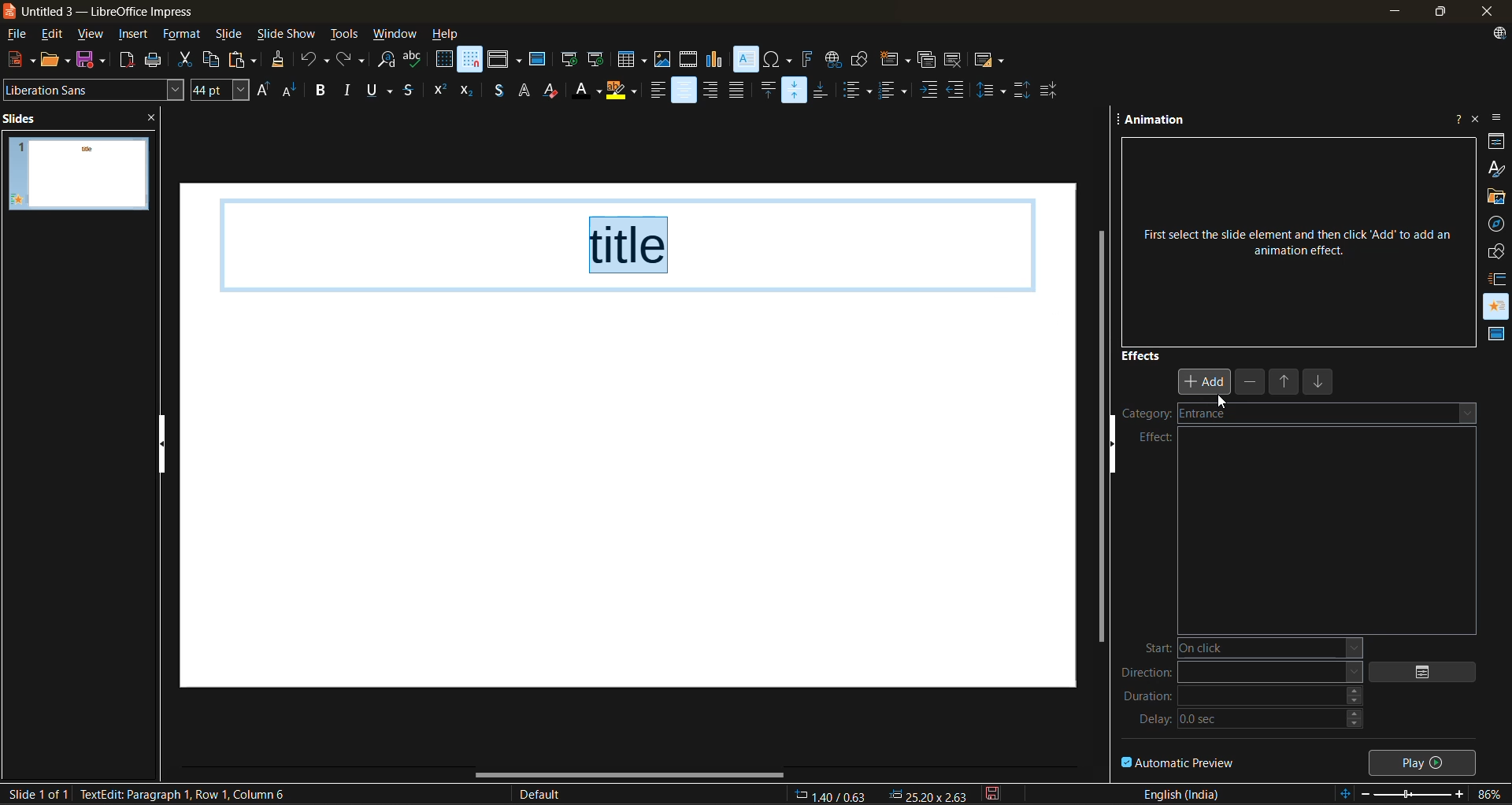 This screenshot has height=805, width=1512. I want to click on print, so click(158, 60).